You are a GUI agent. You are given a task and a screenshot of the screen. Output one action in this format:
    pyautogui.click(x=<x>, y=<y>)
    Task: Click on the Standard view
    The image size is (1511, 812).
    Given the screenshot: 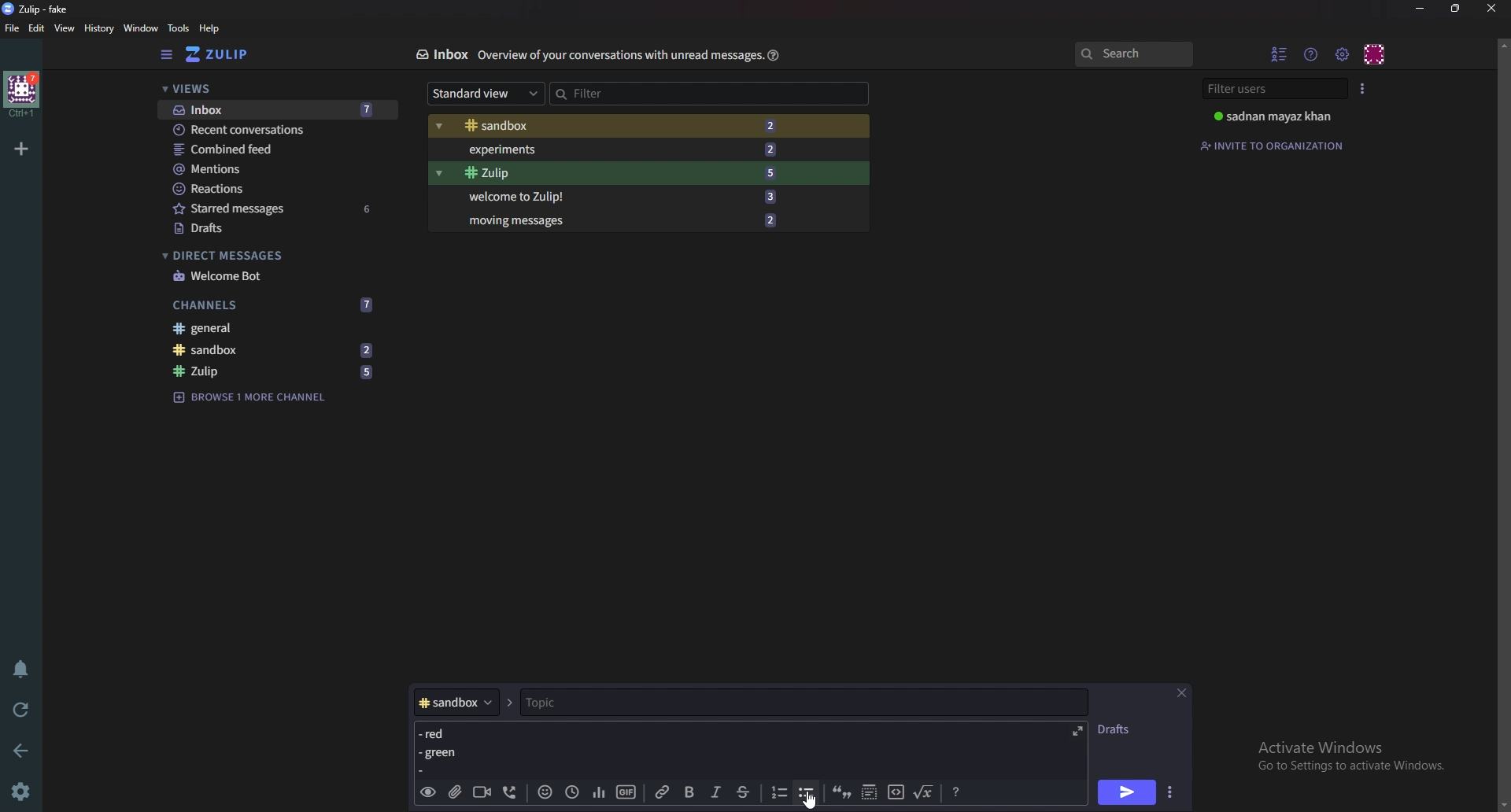 What is the action you would take?
    pyautogui.click(x=486, y=92)
    